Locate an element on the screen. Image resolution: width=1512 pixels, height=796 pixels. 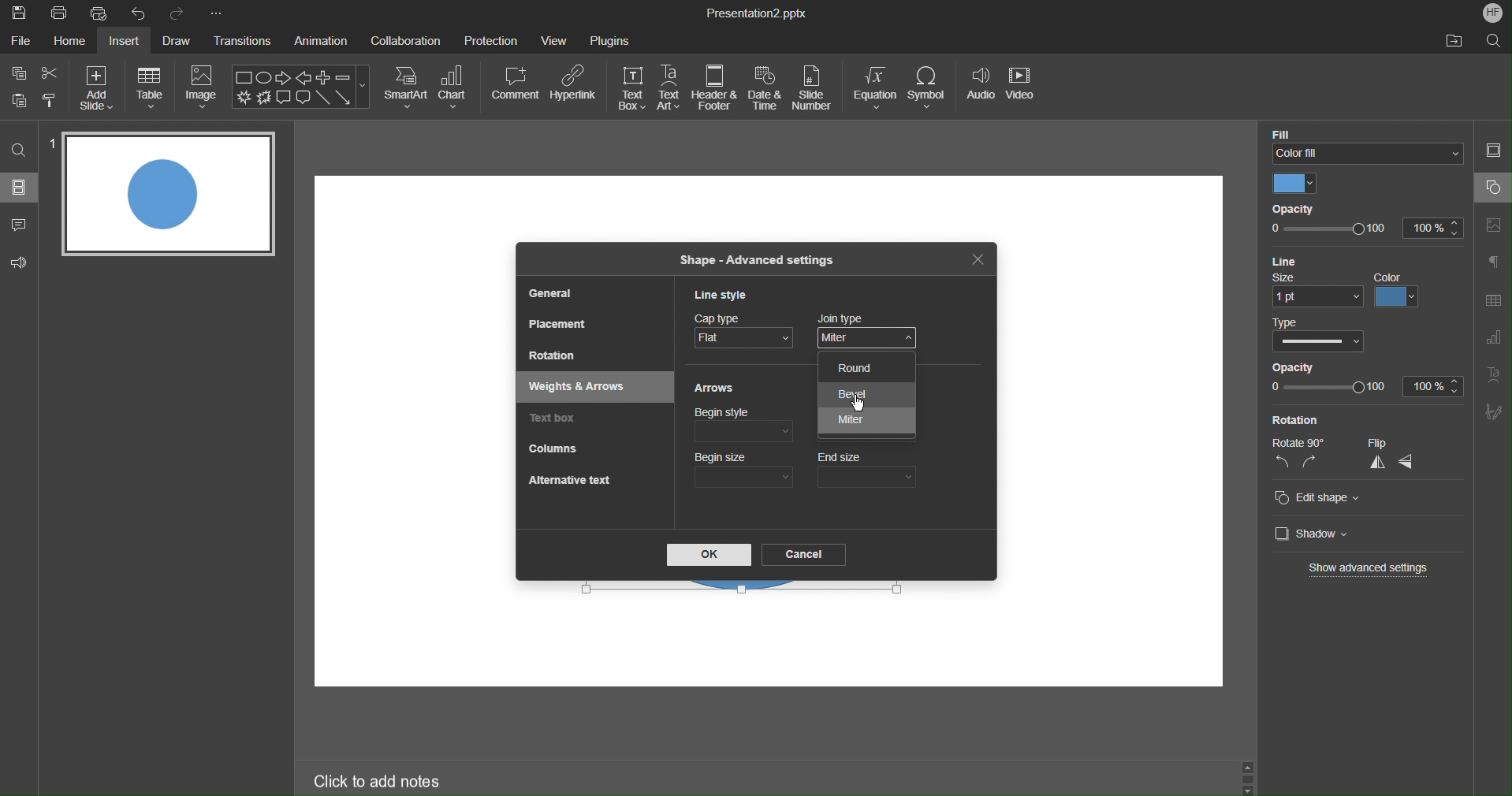
Join Type is located at coordinates (872, 329).